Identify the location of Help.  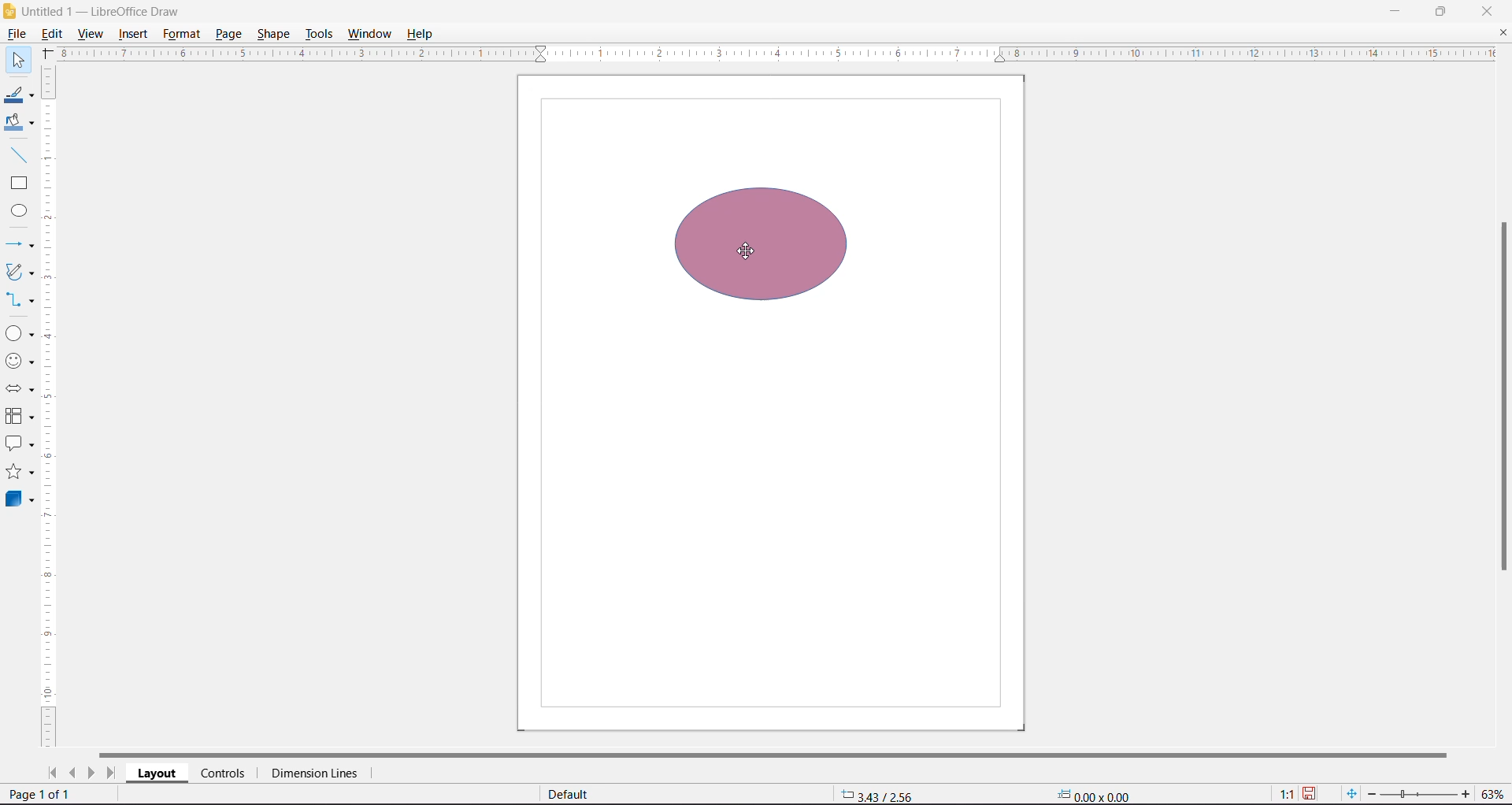
(424, 34).